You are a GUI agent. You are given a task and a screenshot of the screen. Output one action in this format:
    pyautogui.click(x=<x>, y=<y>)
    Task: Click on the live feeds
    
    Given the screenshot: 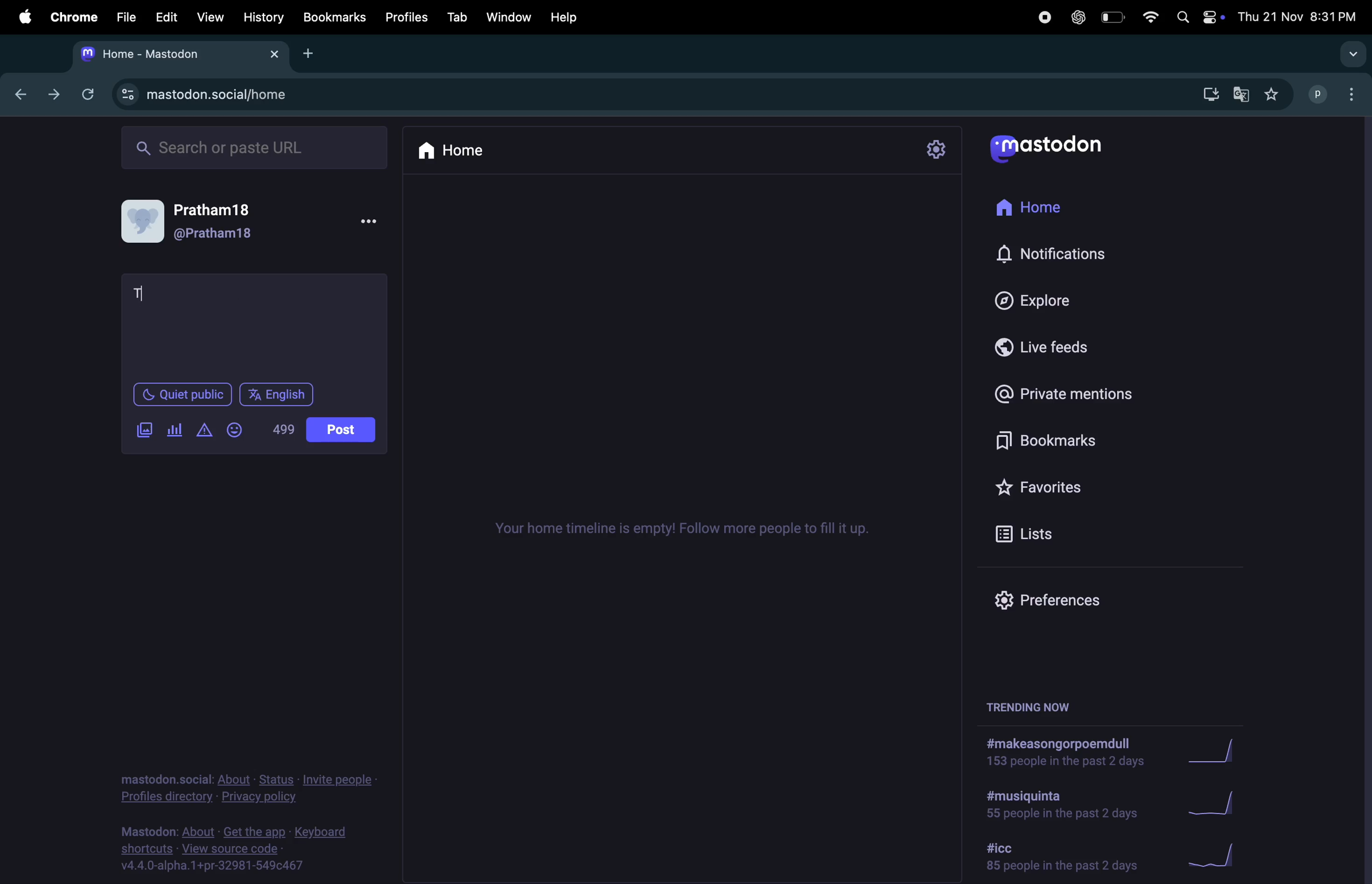 What is the action you would take?
    pyautogui.click(x=1055, y=350)
    